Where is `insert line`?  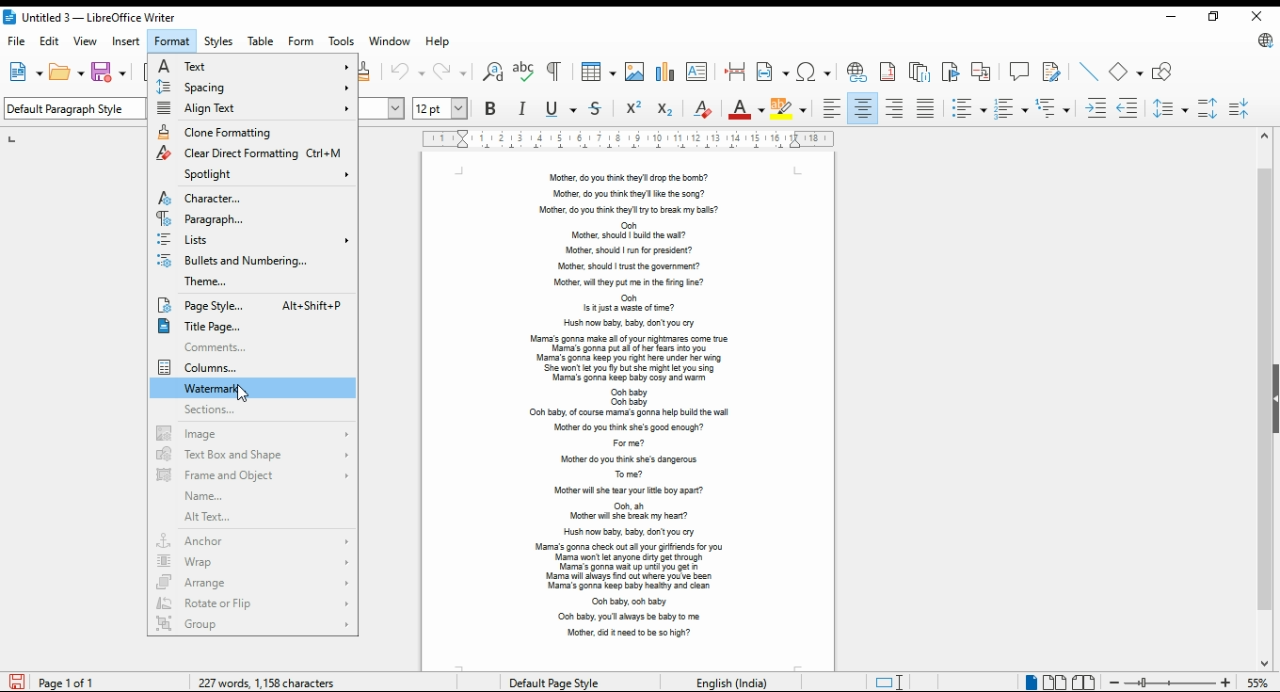 insert line is located at coordinates (1090, 72).